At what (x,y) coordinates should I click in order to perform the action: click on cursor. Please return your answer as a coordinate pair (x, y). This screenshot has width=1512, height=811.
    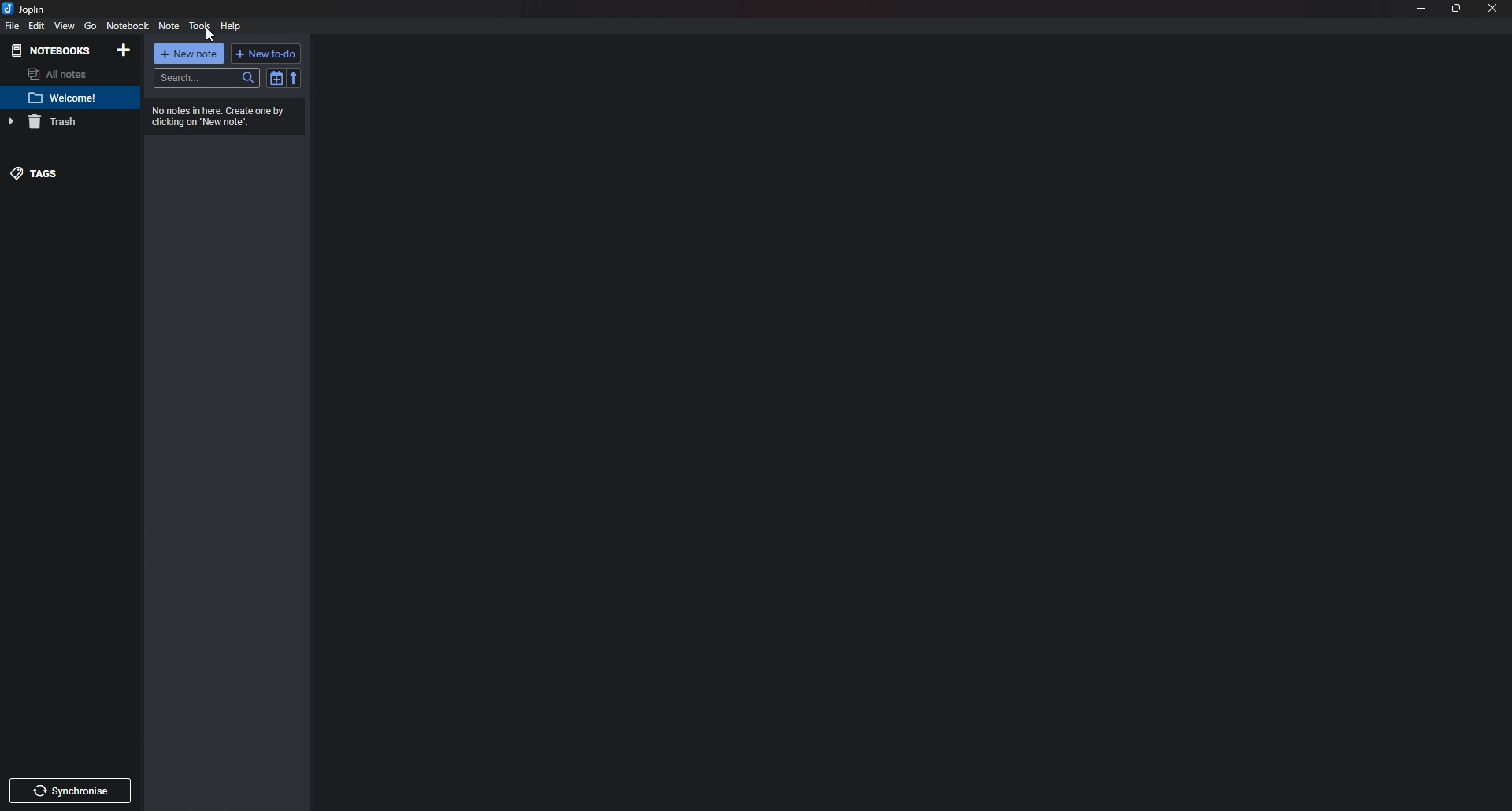
    Looking at the image, I should click on (213, 33).